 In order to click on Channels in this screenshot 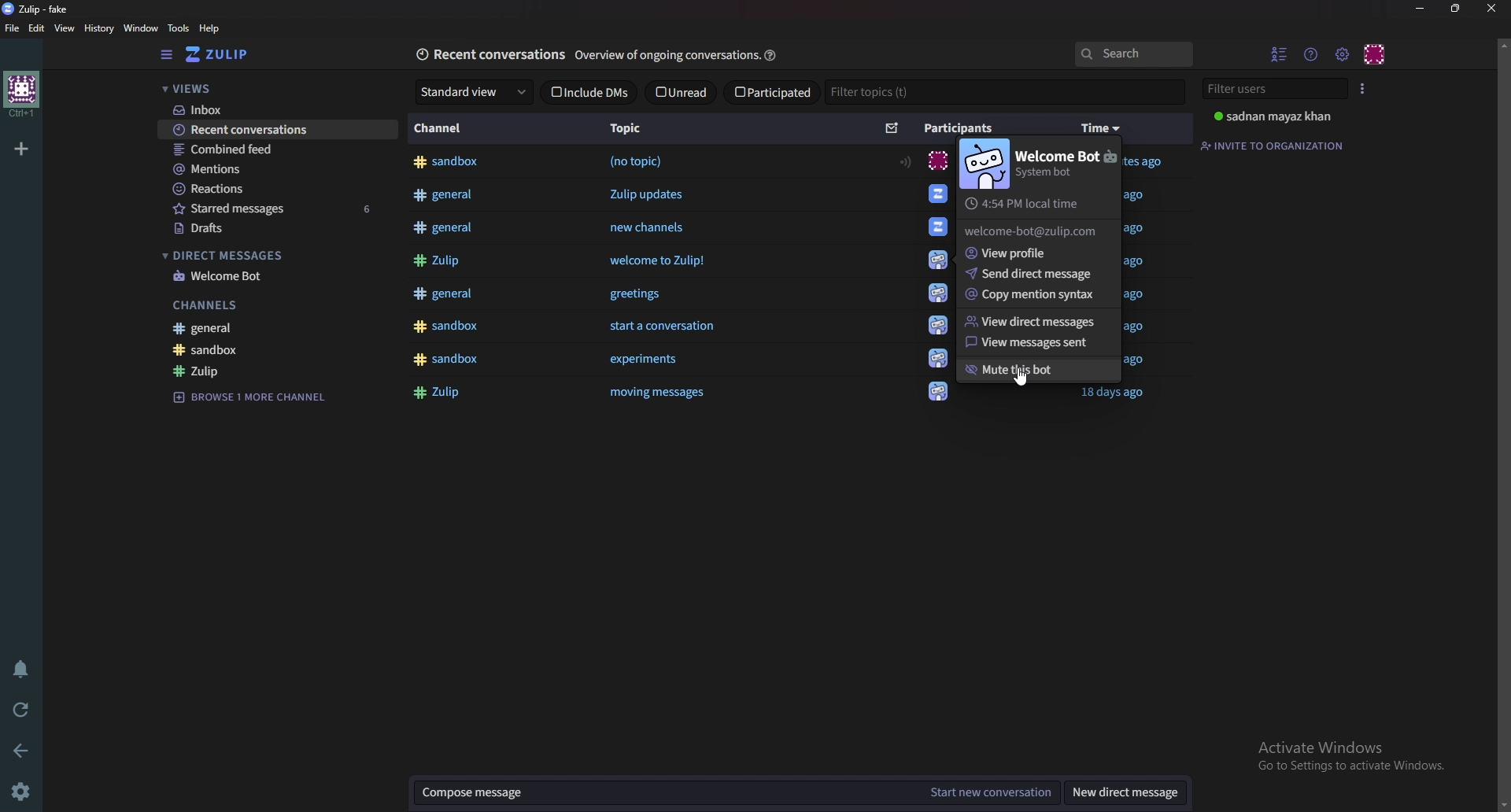, I will do `click(279, 304)`.